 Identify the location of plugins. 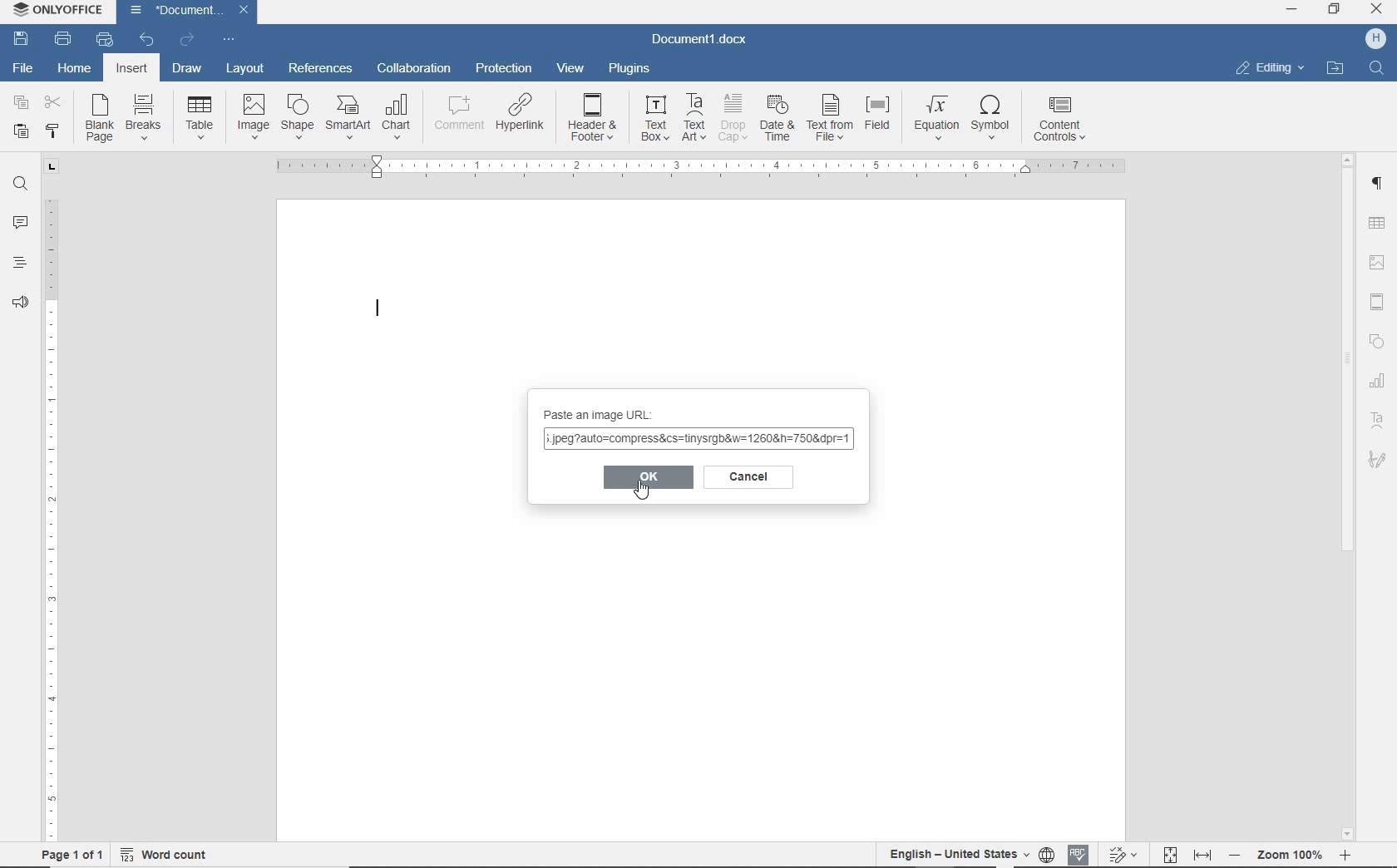
(630, 72).